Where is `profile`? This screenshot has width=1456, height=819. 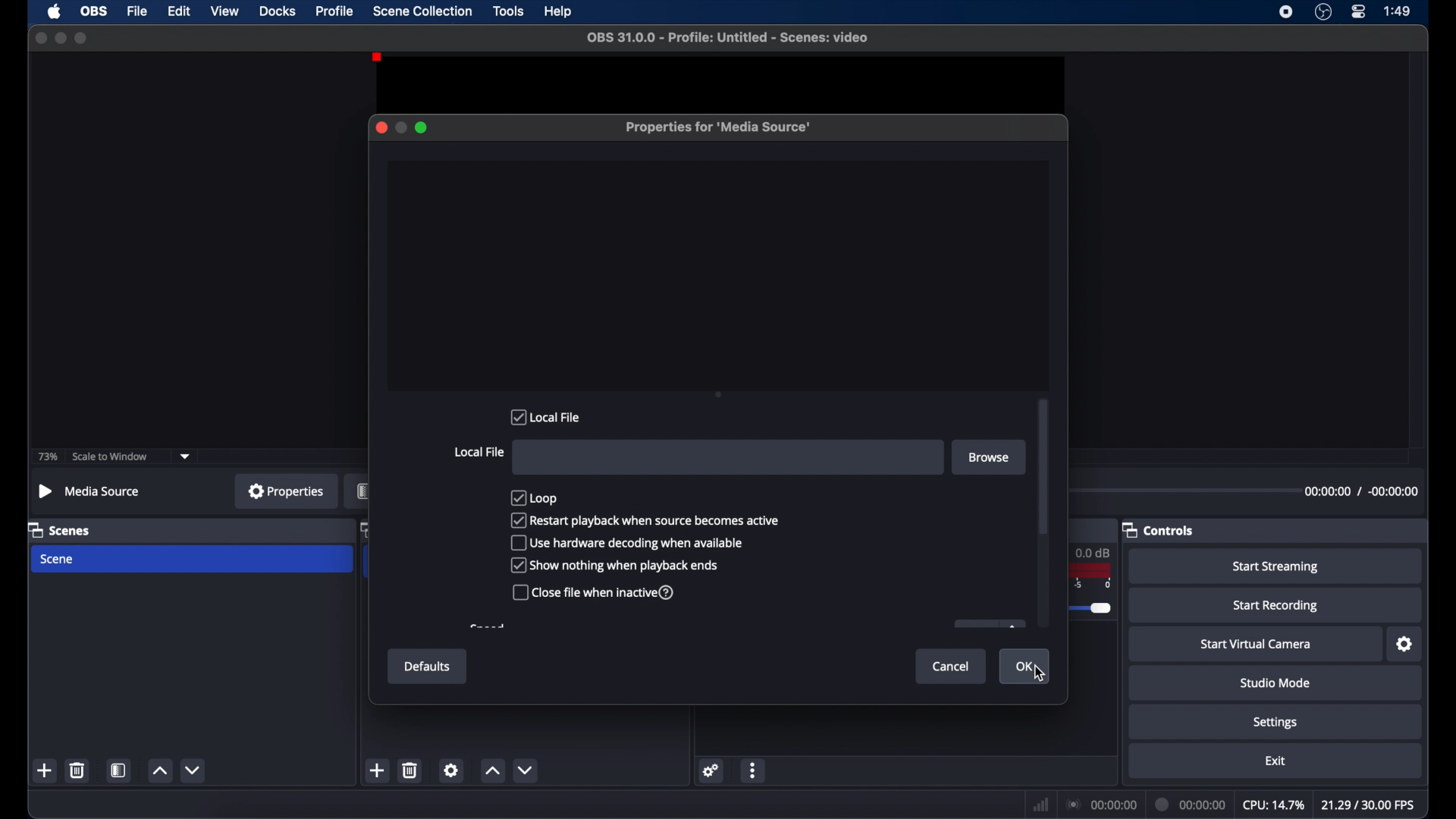
profile is located at coordinates (336, 11).